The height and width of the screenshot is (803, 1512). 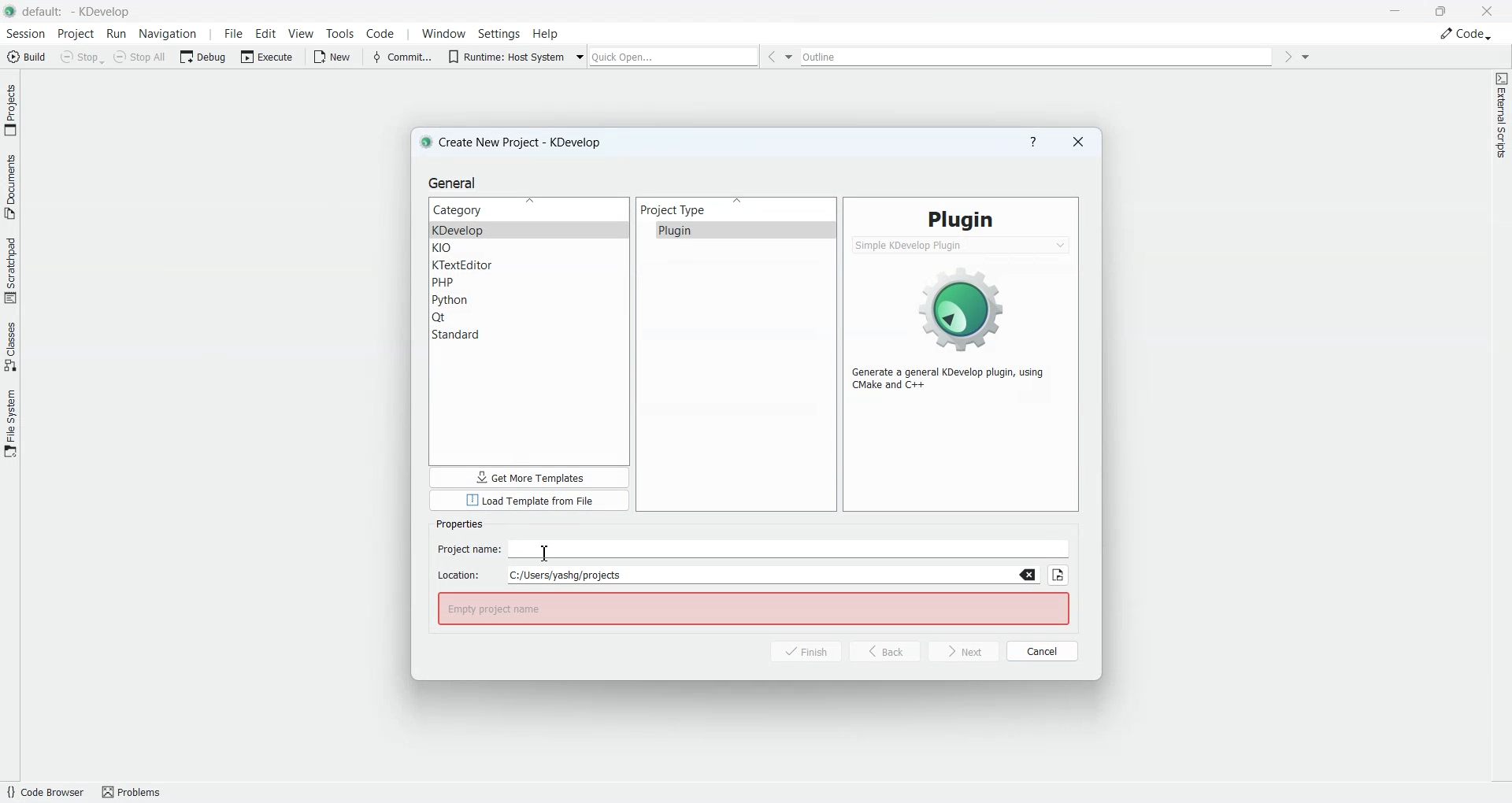 I want to click on Drop down box, so click(x=791, y=57).